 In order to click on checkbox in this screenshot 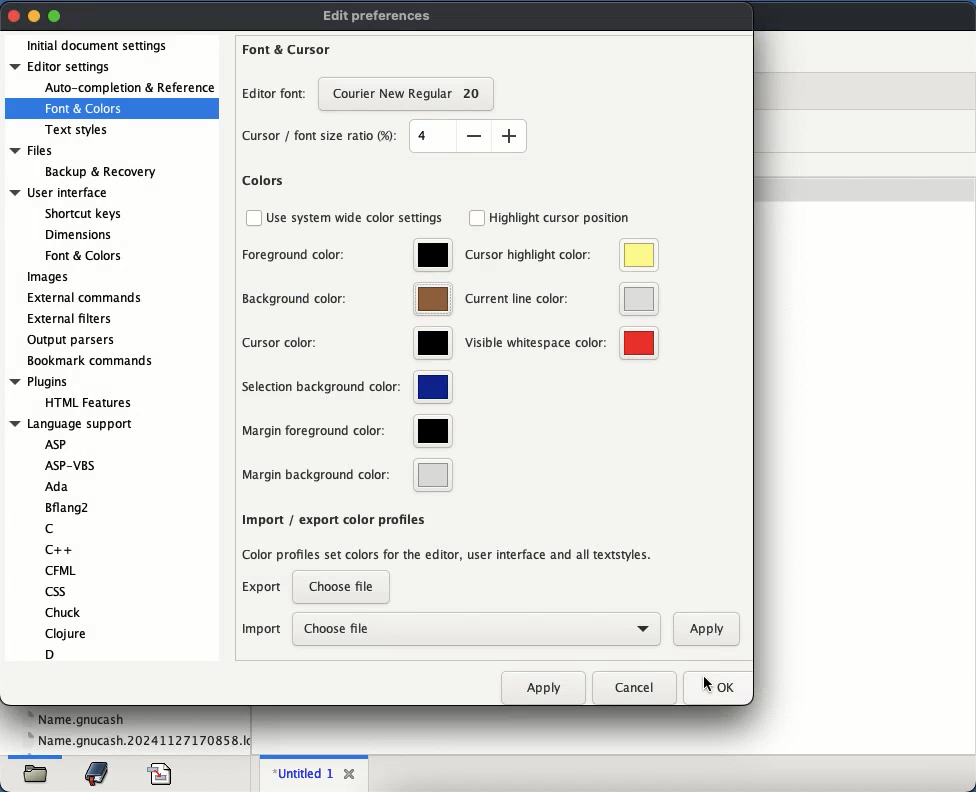, I will do `click(254, 218)`.